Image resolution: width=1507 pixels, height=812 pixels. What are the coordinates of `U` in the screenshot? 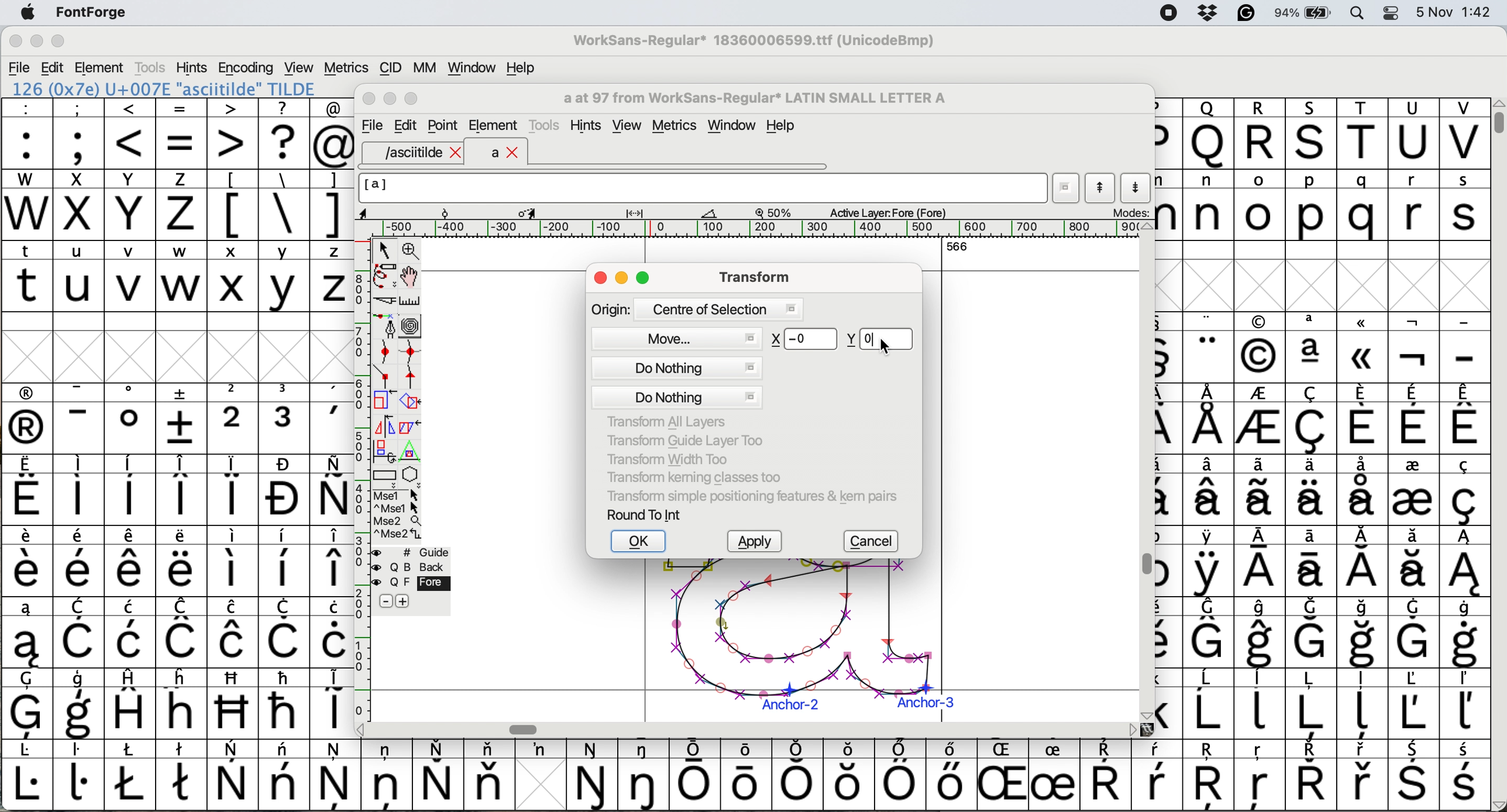 It's located at (1413, 134).